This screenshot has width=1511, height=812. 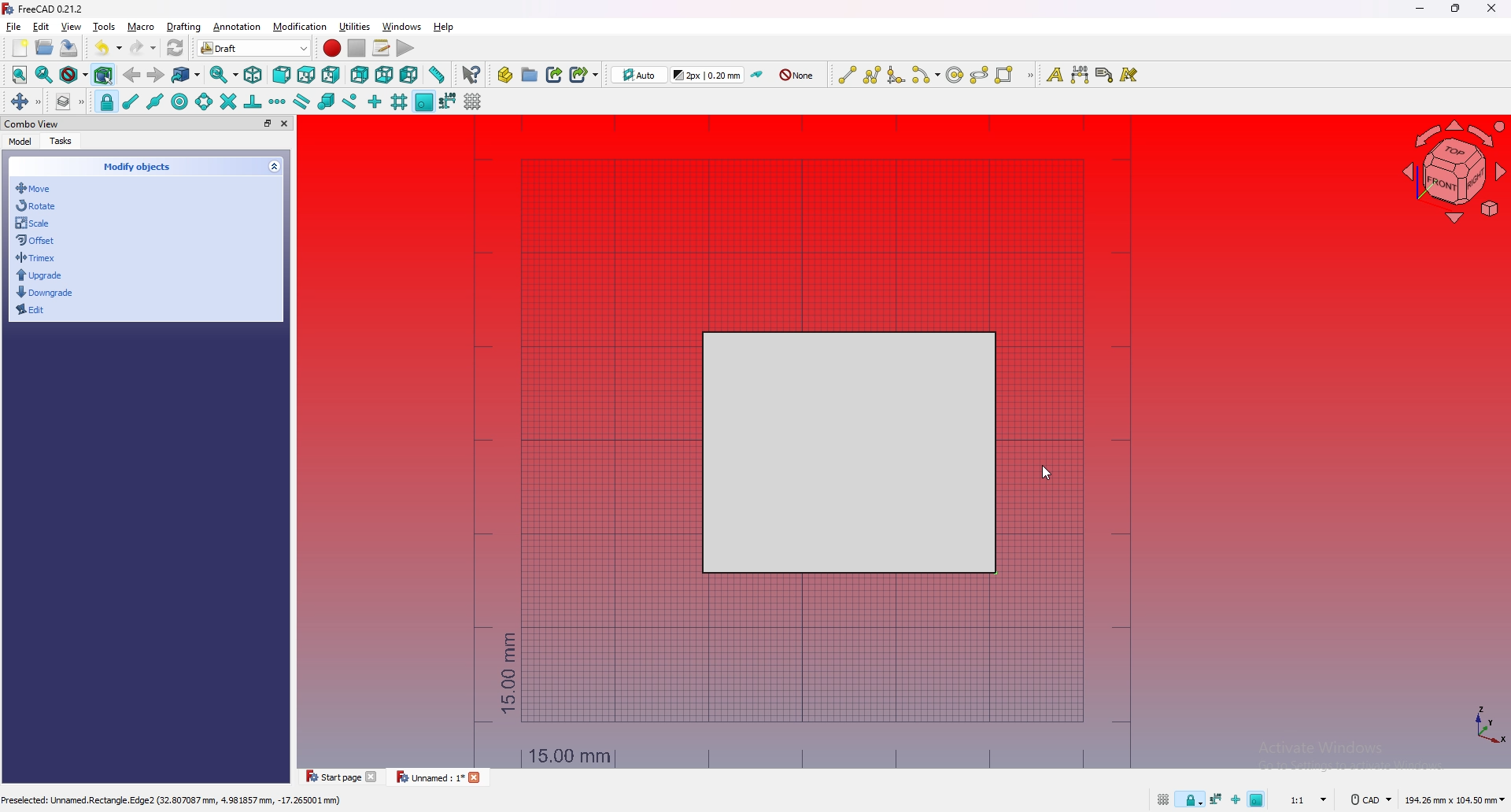 I want to click on view, so click(x=71, y=27).